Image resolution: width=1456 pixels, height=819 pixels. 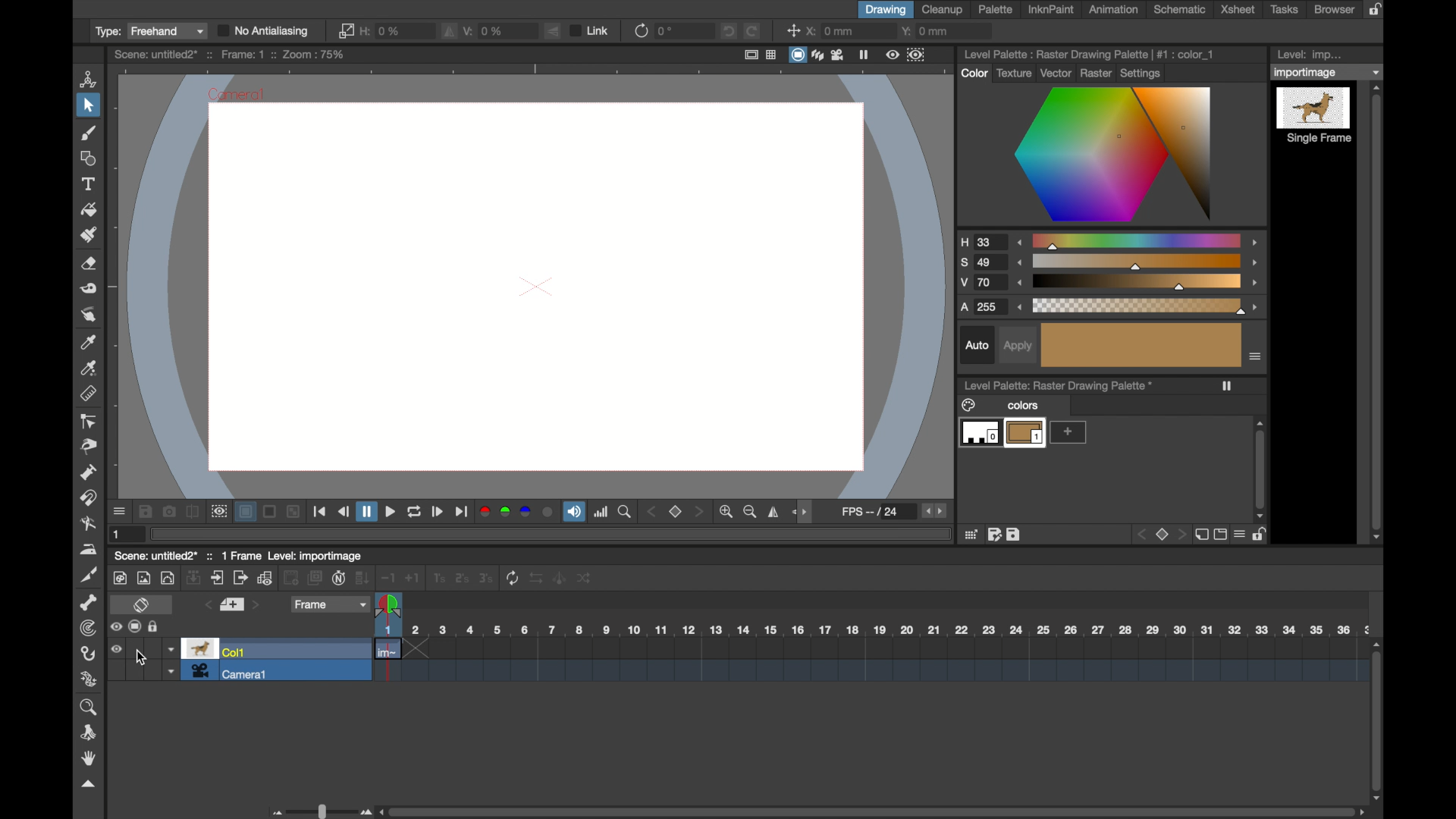 What do you see at coordinates (463, 513) in the screenshot?
I see `forward` at bounding box center [463, 513].